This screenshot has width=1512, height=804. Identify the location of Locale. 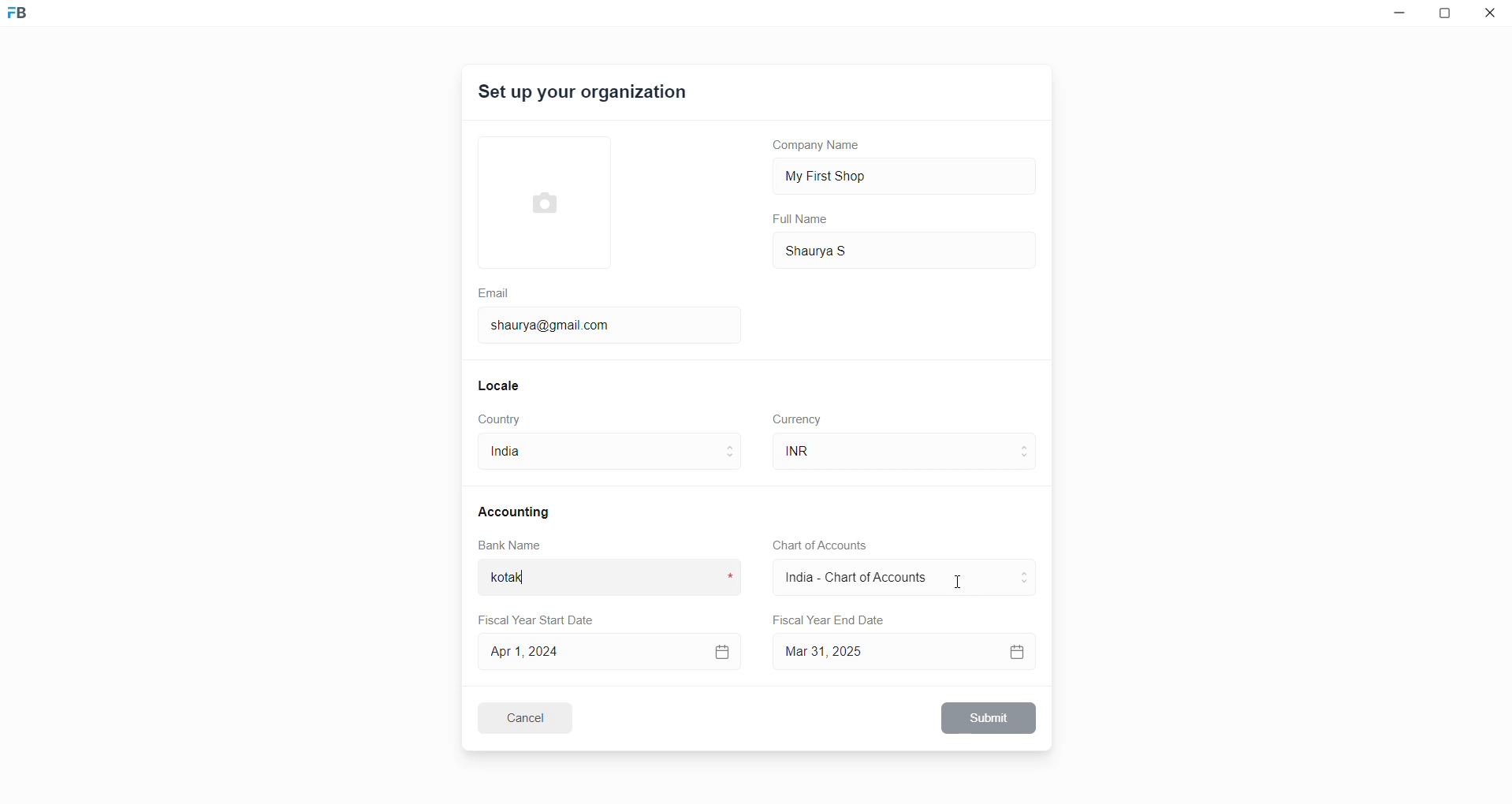
(500, 385).